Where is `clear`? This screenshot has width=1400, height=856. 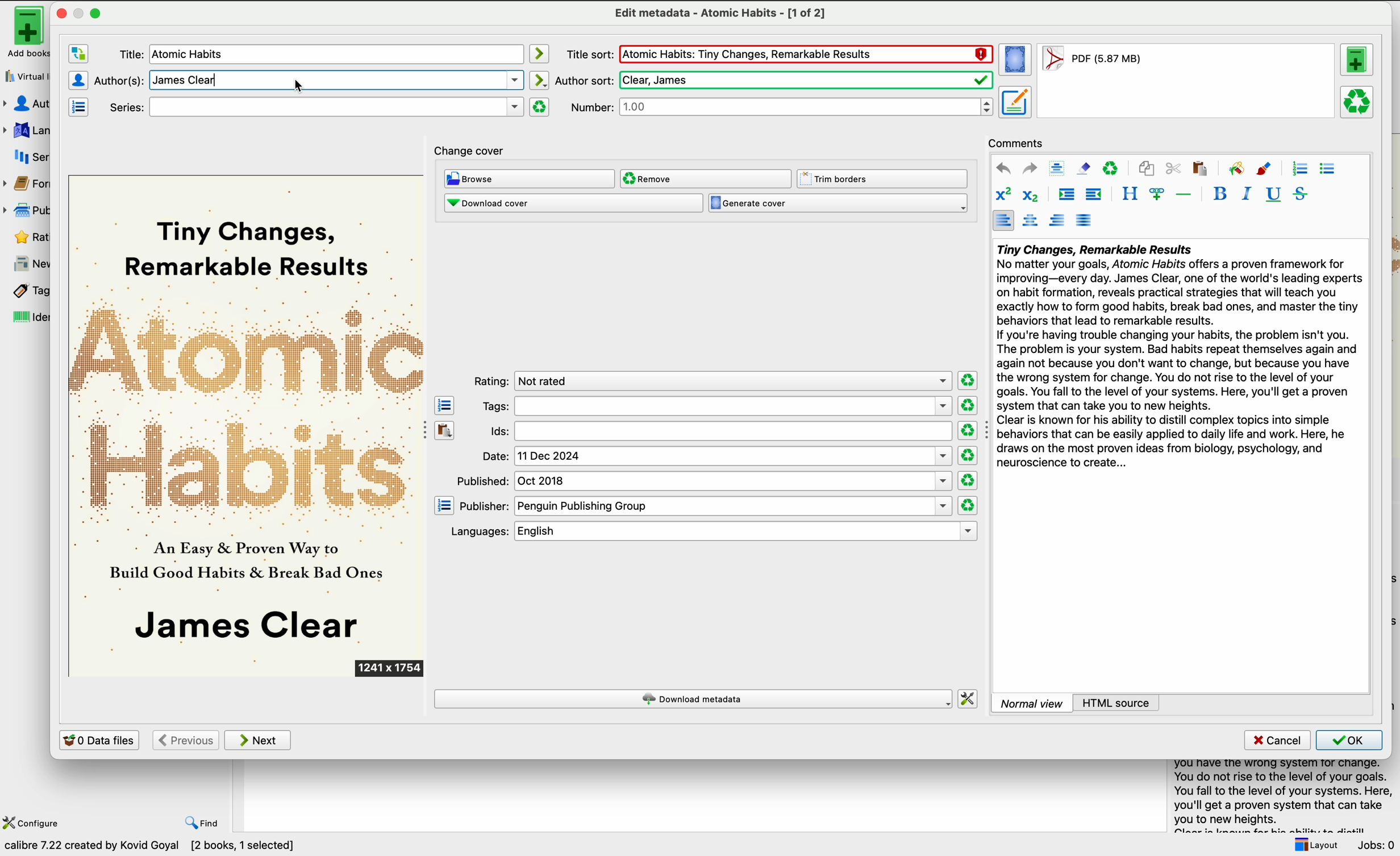 clear is located at coordinates (1111, 168).